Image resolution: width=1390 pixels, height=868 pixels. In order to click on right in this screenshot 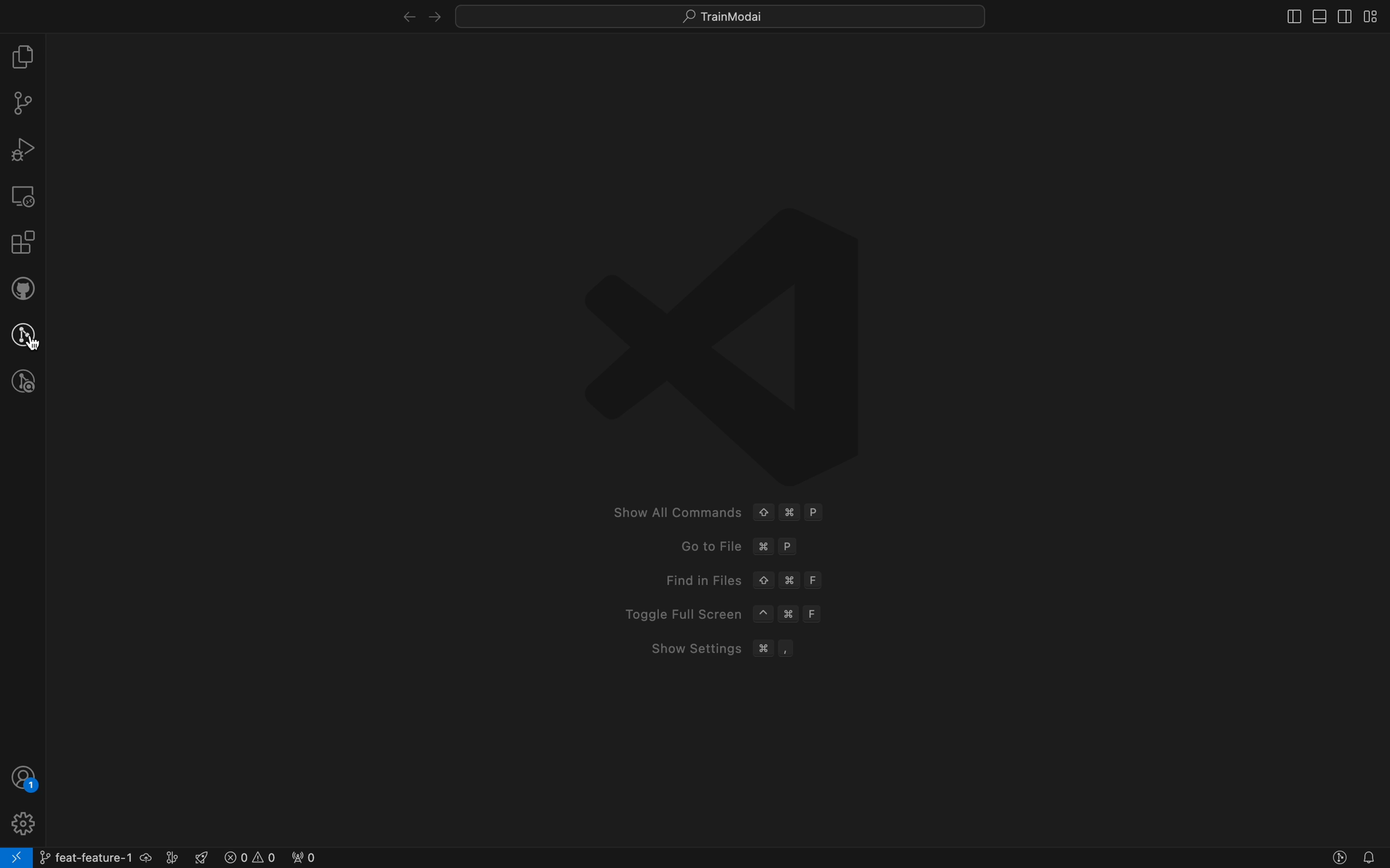, I will do `click(396, 15)`.